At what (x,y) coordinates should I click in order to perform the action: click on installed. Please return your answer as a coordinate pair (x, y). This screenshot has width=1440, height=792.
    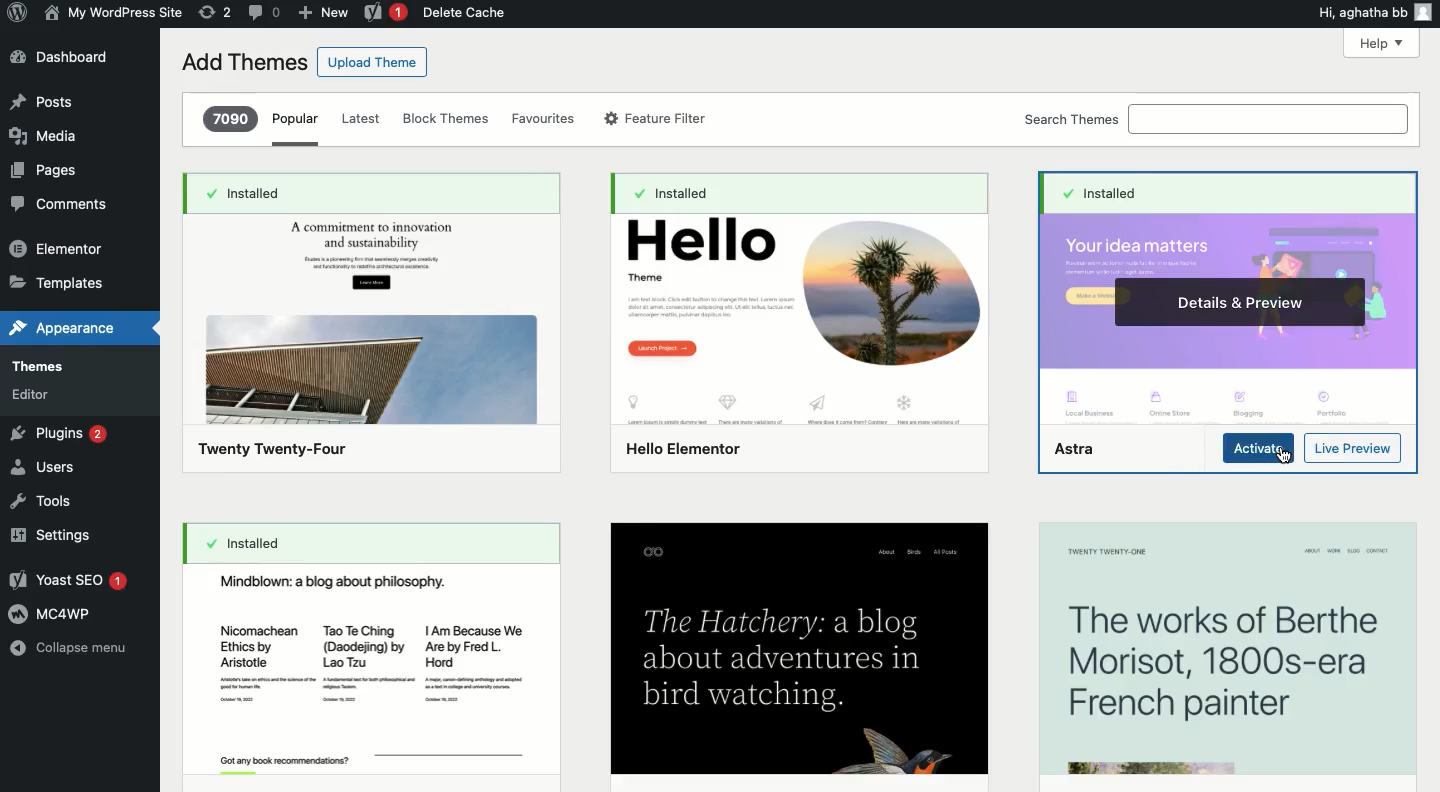
    Looking at the image, I should click on (797, 195).